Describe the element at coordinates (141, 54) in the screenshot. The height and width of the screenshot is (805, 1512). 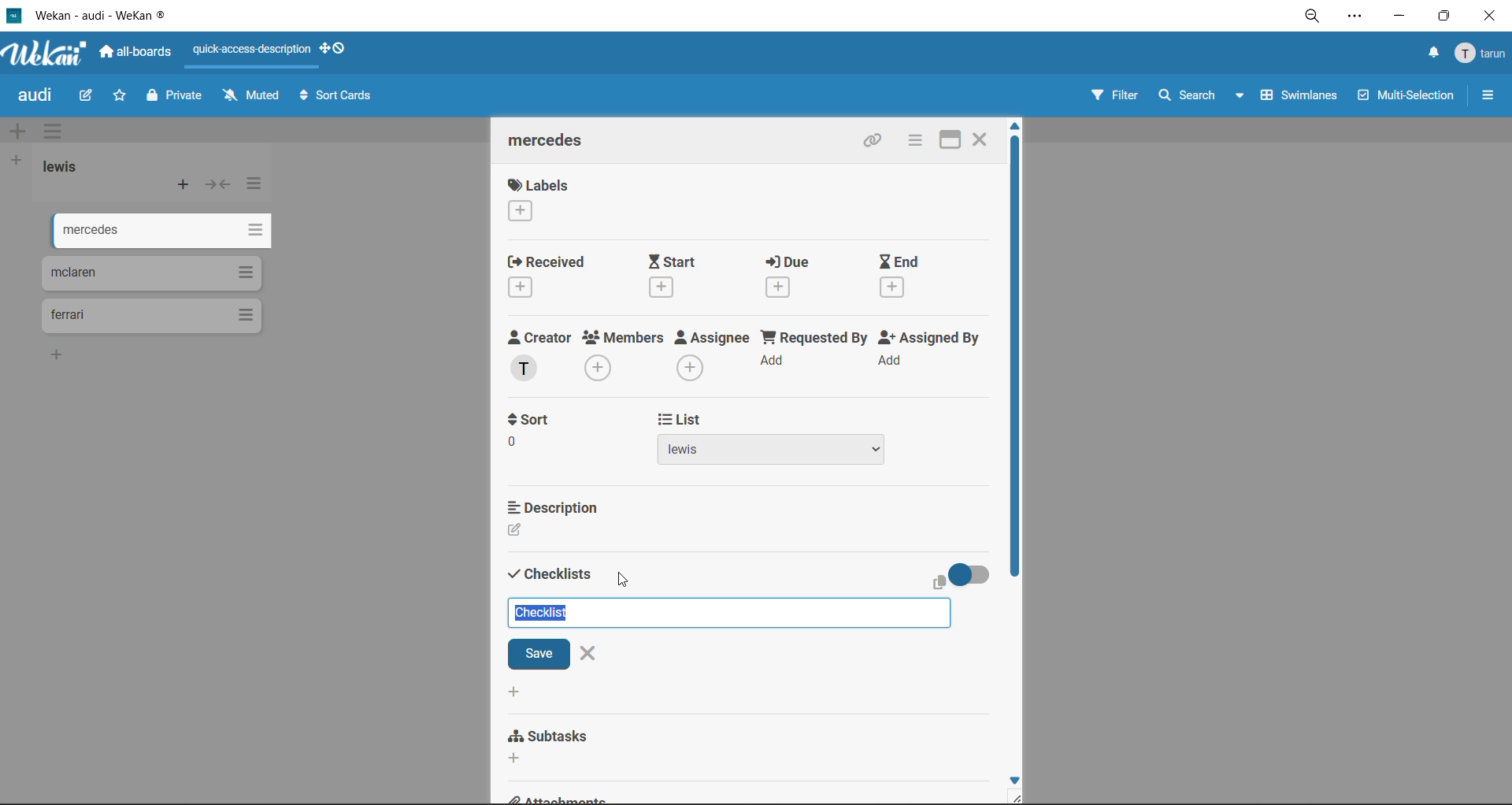
I see `all boards` at that location.